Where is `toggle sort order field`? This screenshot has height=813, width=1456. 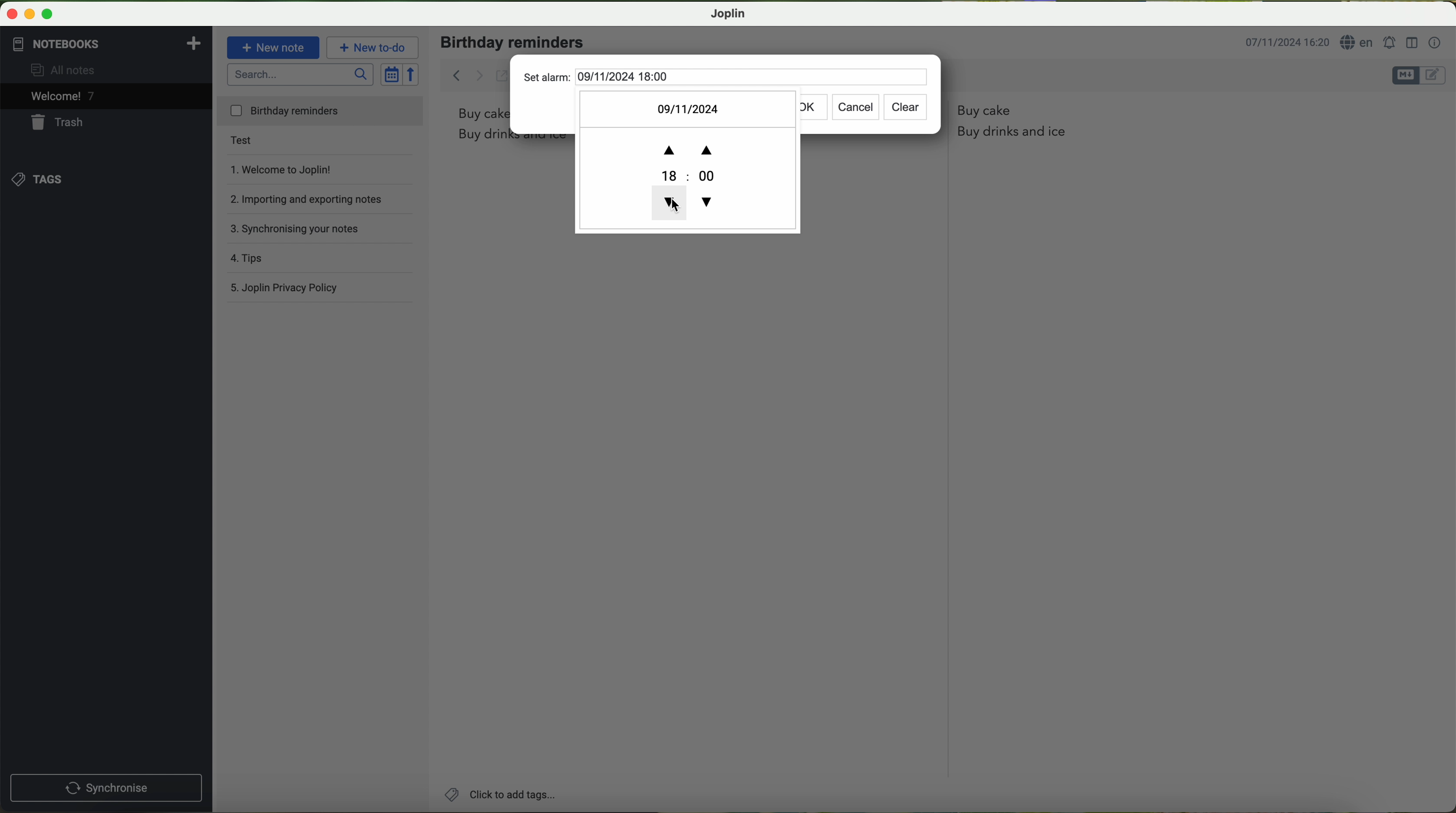
toggle sort order field is located at coordinates (391, 74).